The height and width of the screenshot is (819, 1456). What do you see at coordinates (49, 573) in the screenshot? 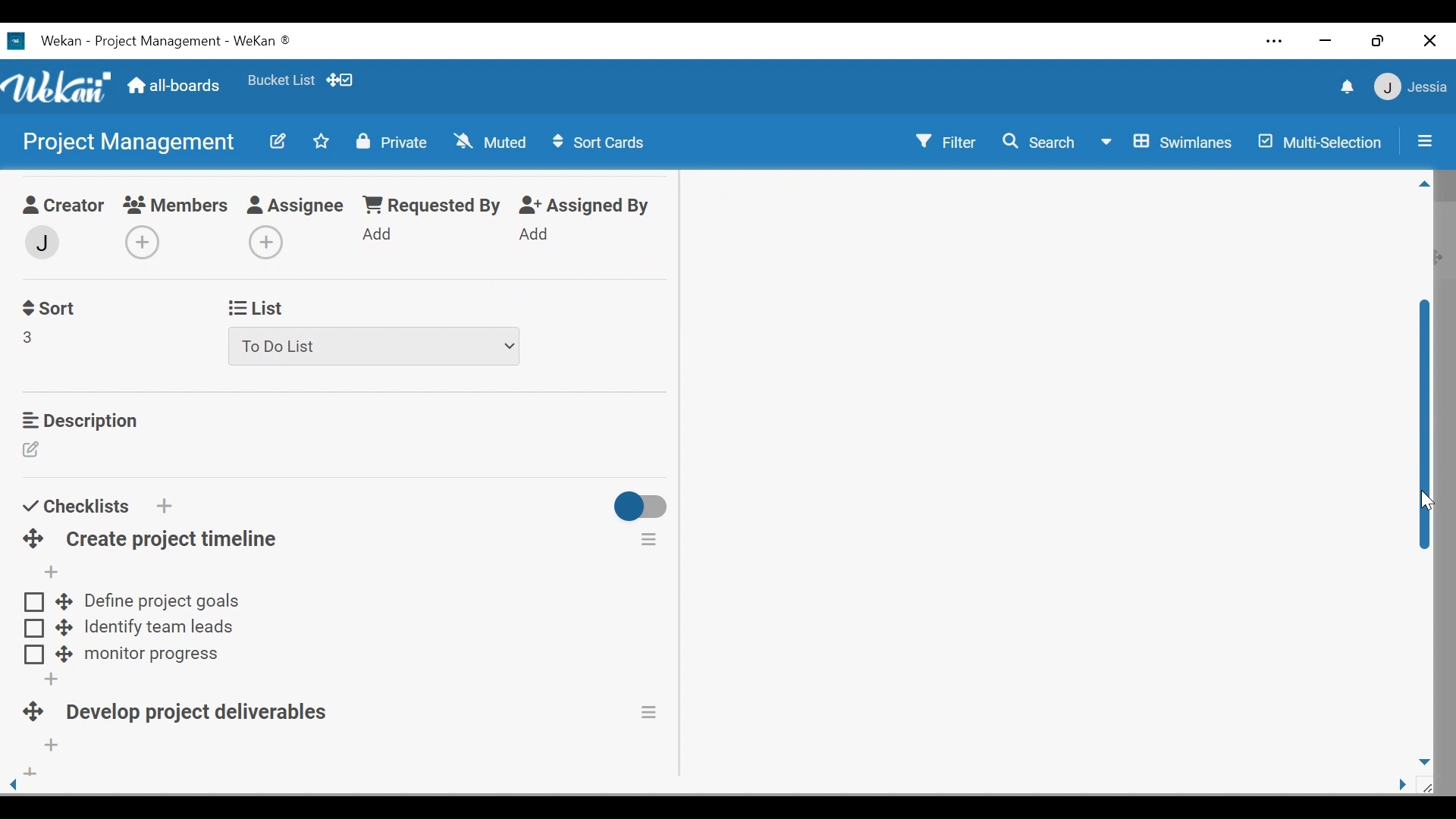
I see `Add an item to checklist` at bounding box center [49, 573].